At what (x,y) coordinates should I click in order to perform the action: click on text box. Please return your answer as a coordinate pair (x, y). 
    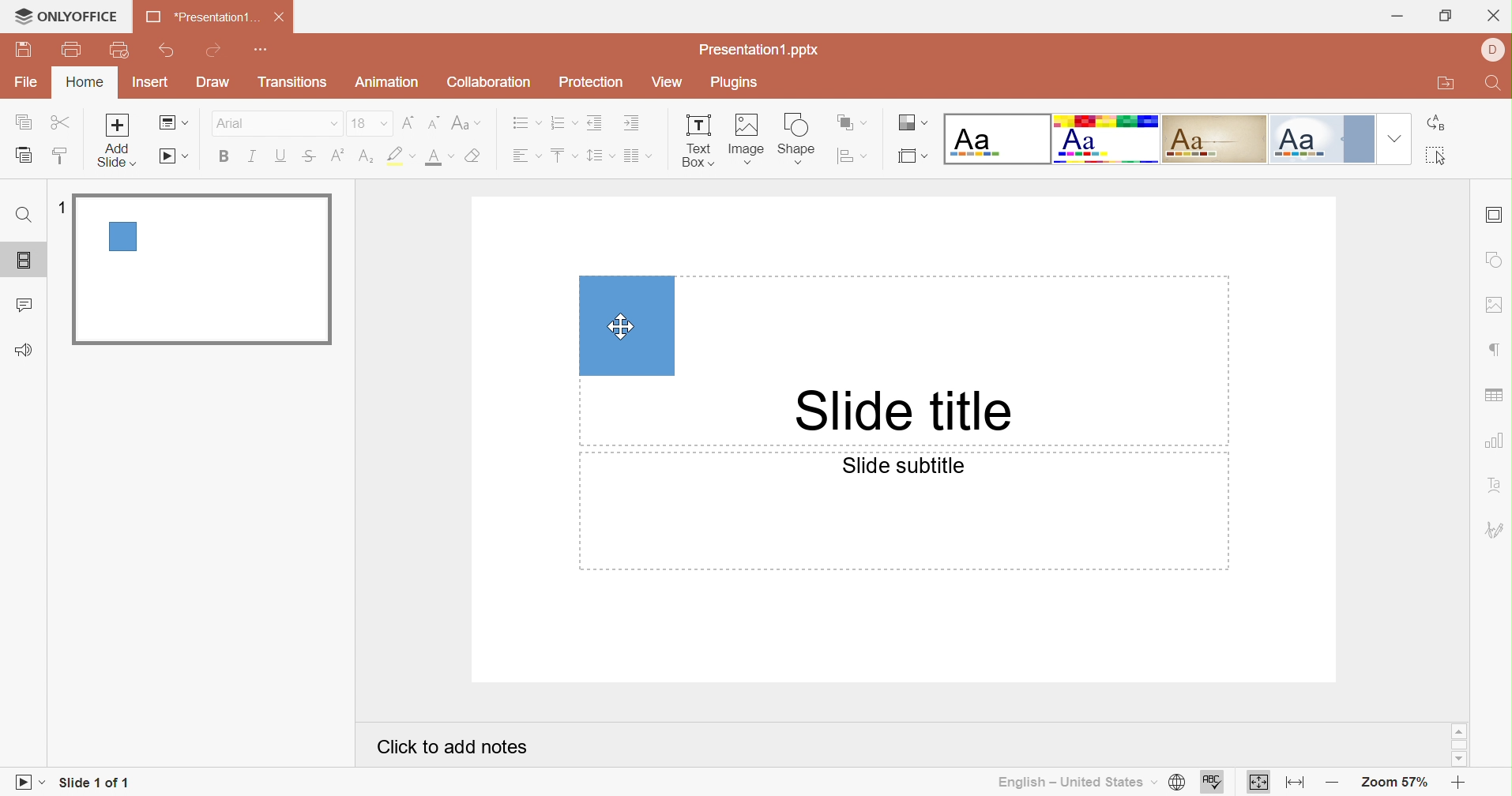
    Looking at the image, I should click on (627, 326).